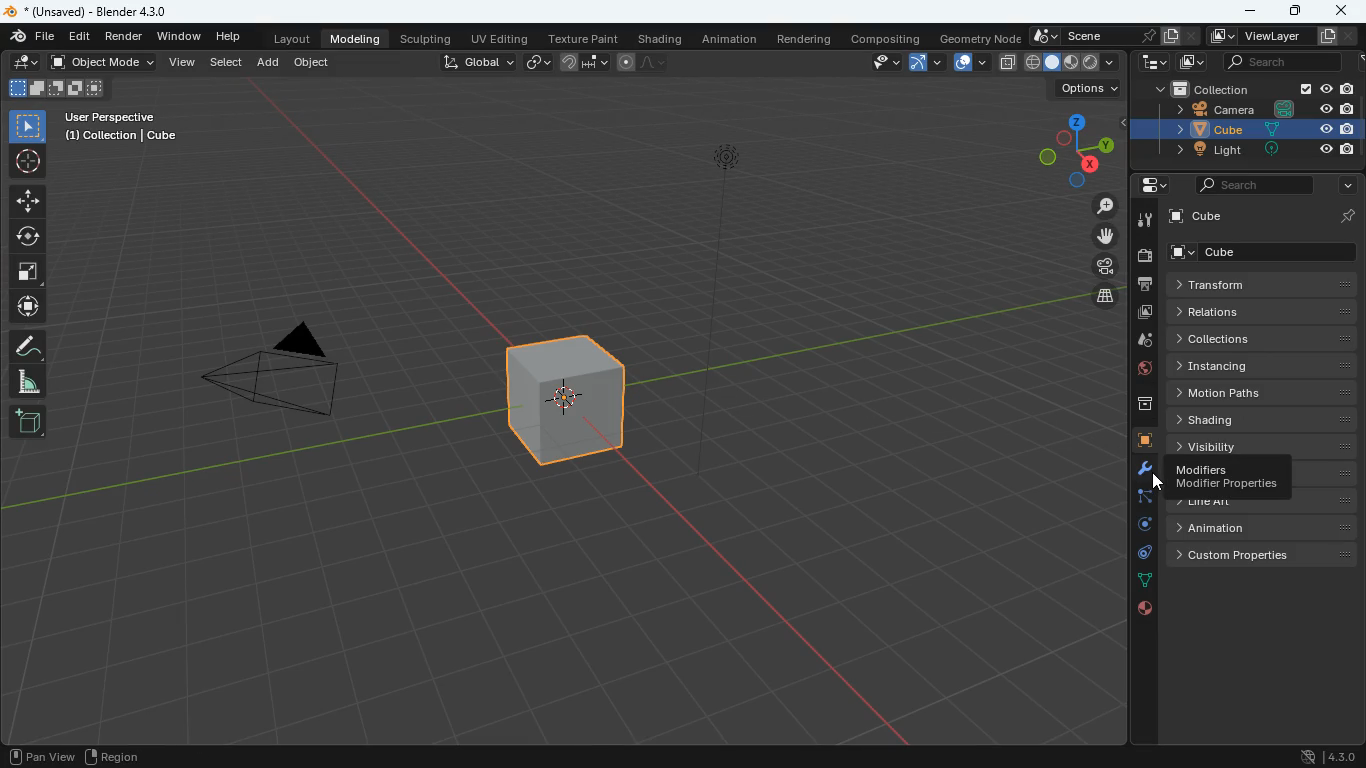 This screenshot has width=1366, height=768. What do you see at coordinates (1193, 60) in the screenshot?
I see `images` at bounding box center [1193, 60].